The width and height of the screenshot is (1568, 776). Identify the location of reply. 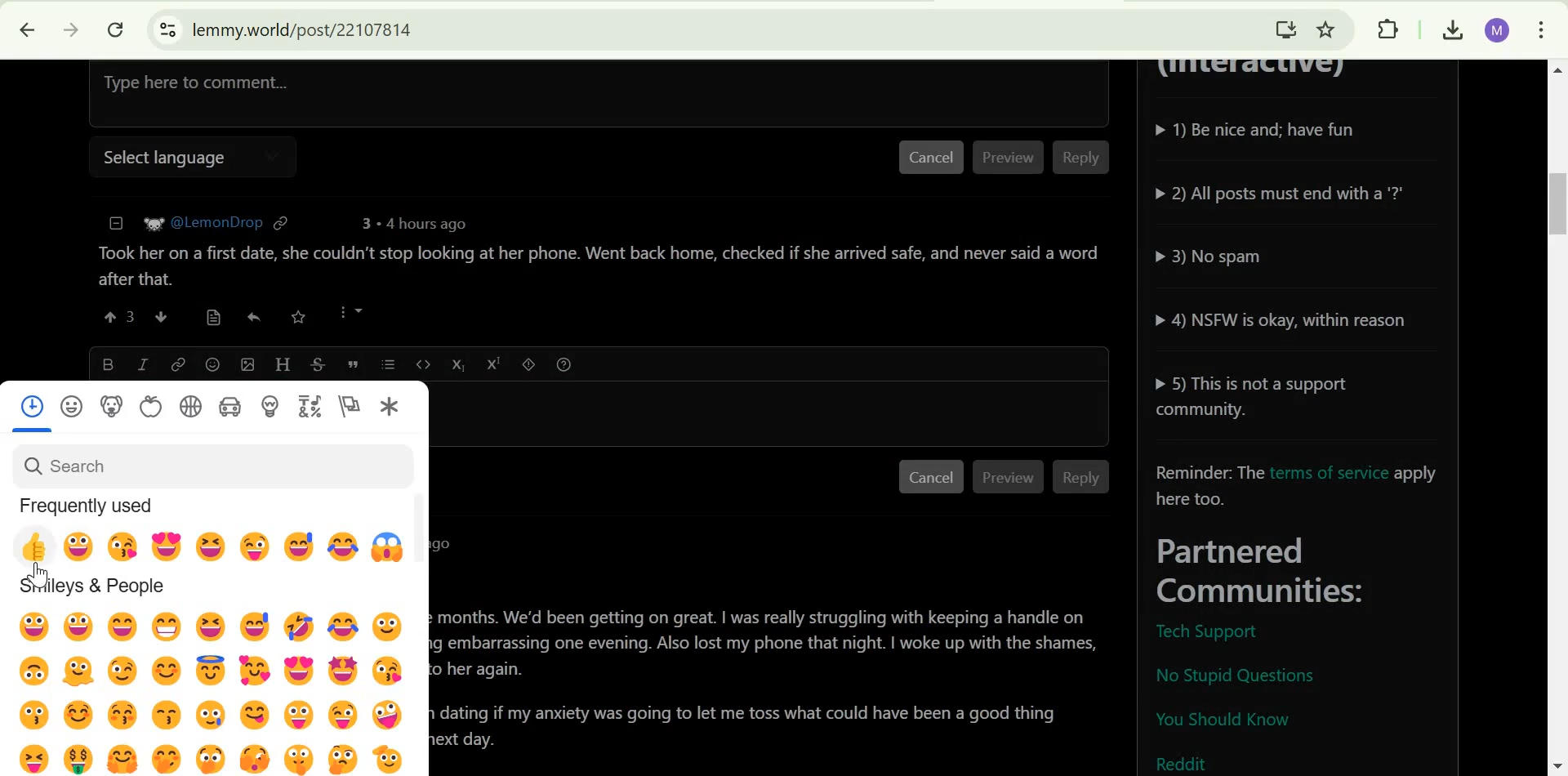
(252, 317).